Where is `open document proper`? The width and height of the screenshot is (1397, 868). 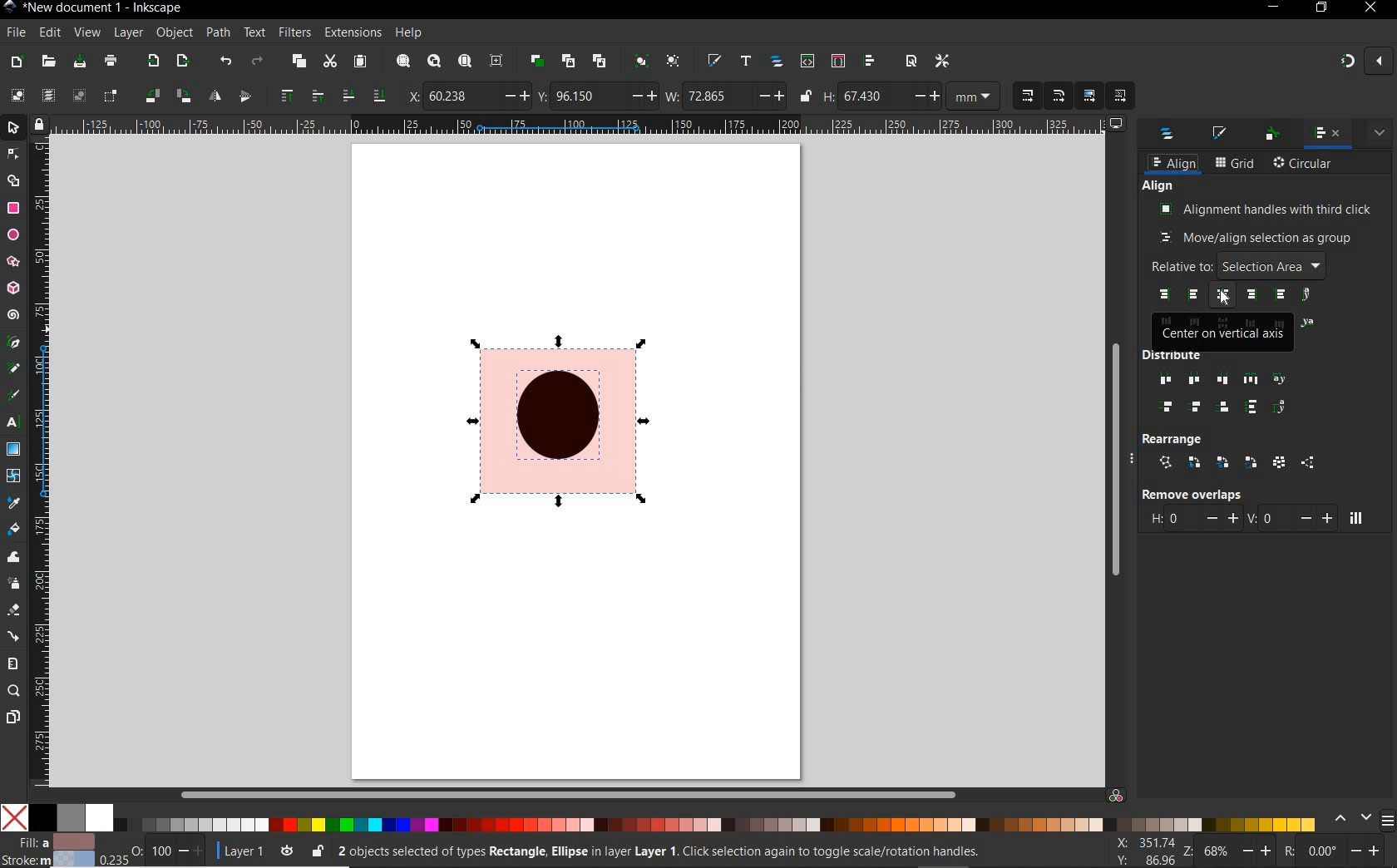 open document proper is located at coordinates (913, 62).